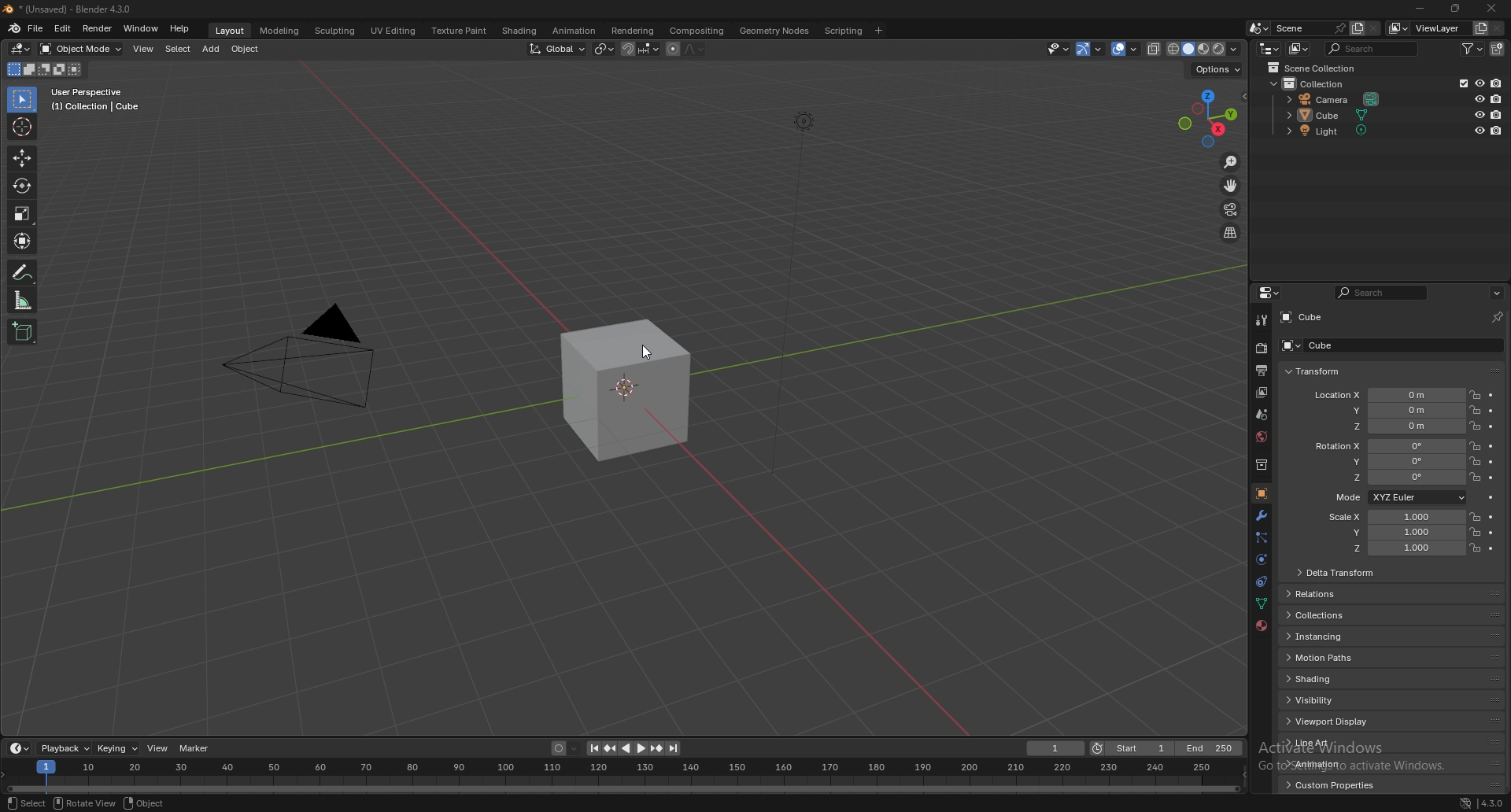 The width and height of the screenshot is (1511, 812). What do you see at coordinates (1231, 234) in the screenshot?
I see `orthographic/perspective` at bounding box center [1231, 234].